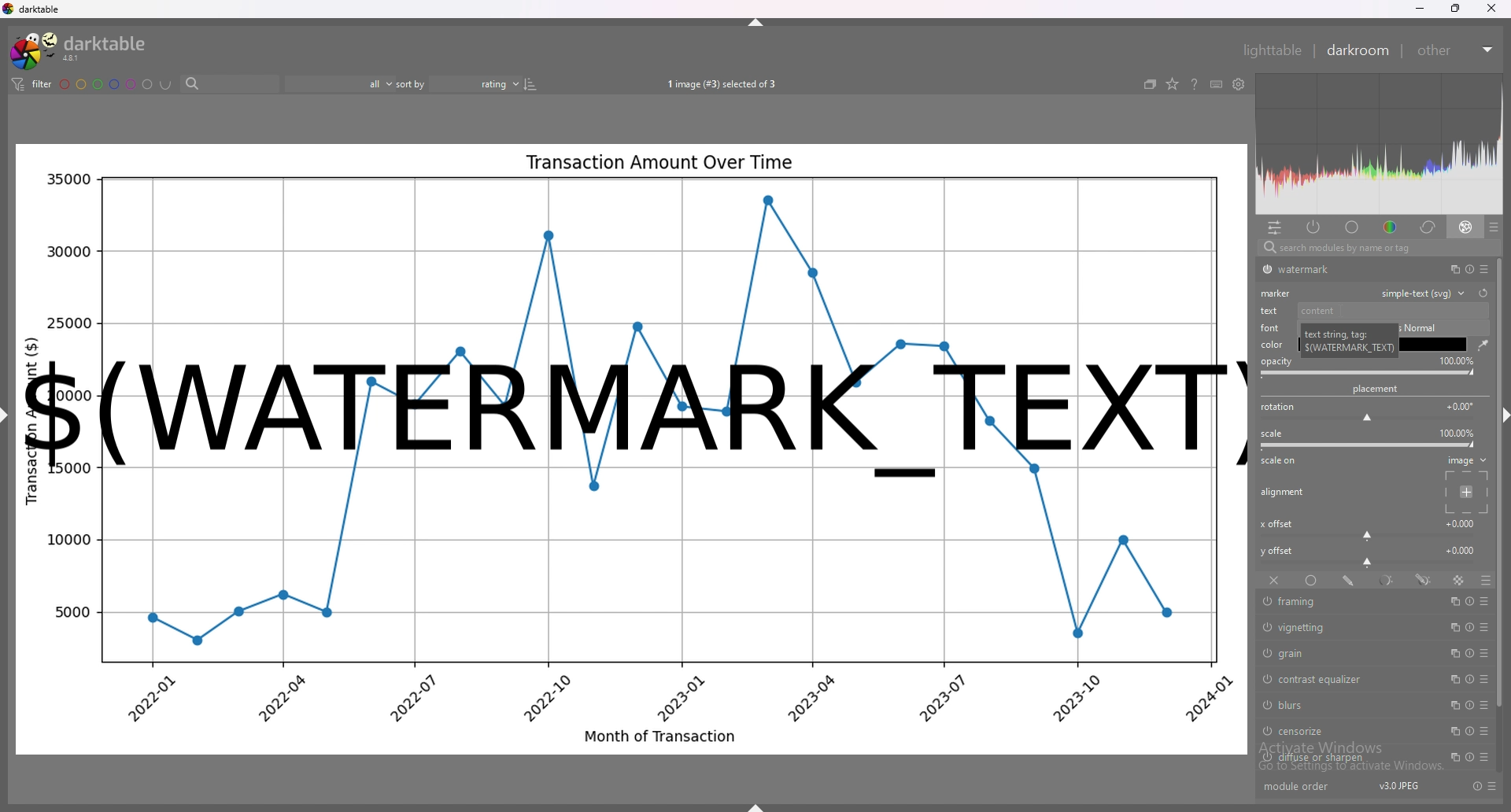 Image resolution: width=1511 pixels, height=812 pixels. What do you see at coordinates (1469, 628) in the screenshot?
I see `reset` at bounding box center [1469, 628].